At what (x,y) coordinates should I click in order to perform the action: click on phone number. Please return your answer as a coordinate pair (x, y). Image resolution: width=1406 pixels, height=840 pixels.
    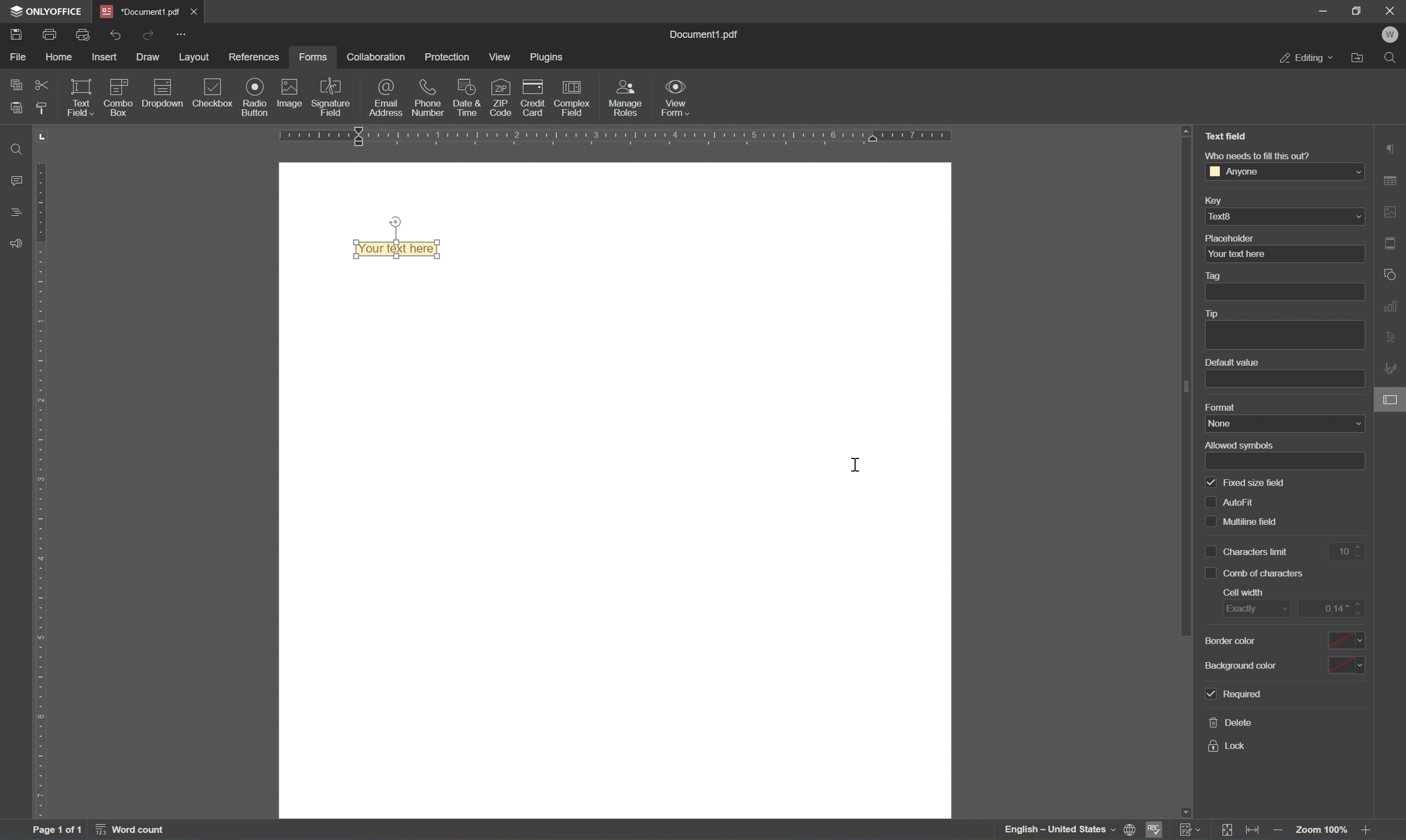
    Looking at the image, I should click on (428, 98).